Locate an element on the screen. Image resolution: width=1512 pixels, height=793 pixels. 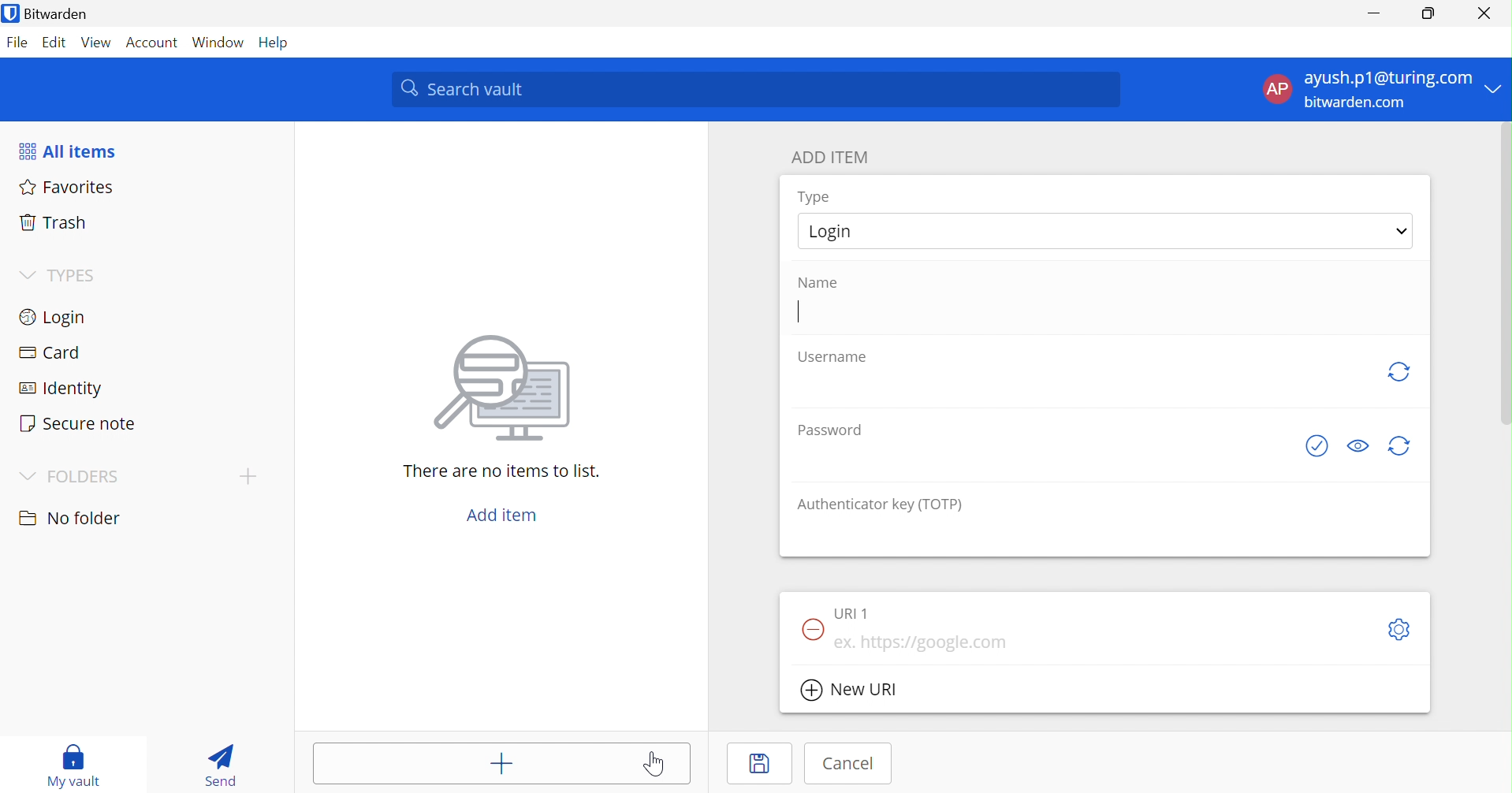
ayush.p1@turing.com is located at coordinates (1387, 76).